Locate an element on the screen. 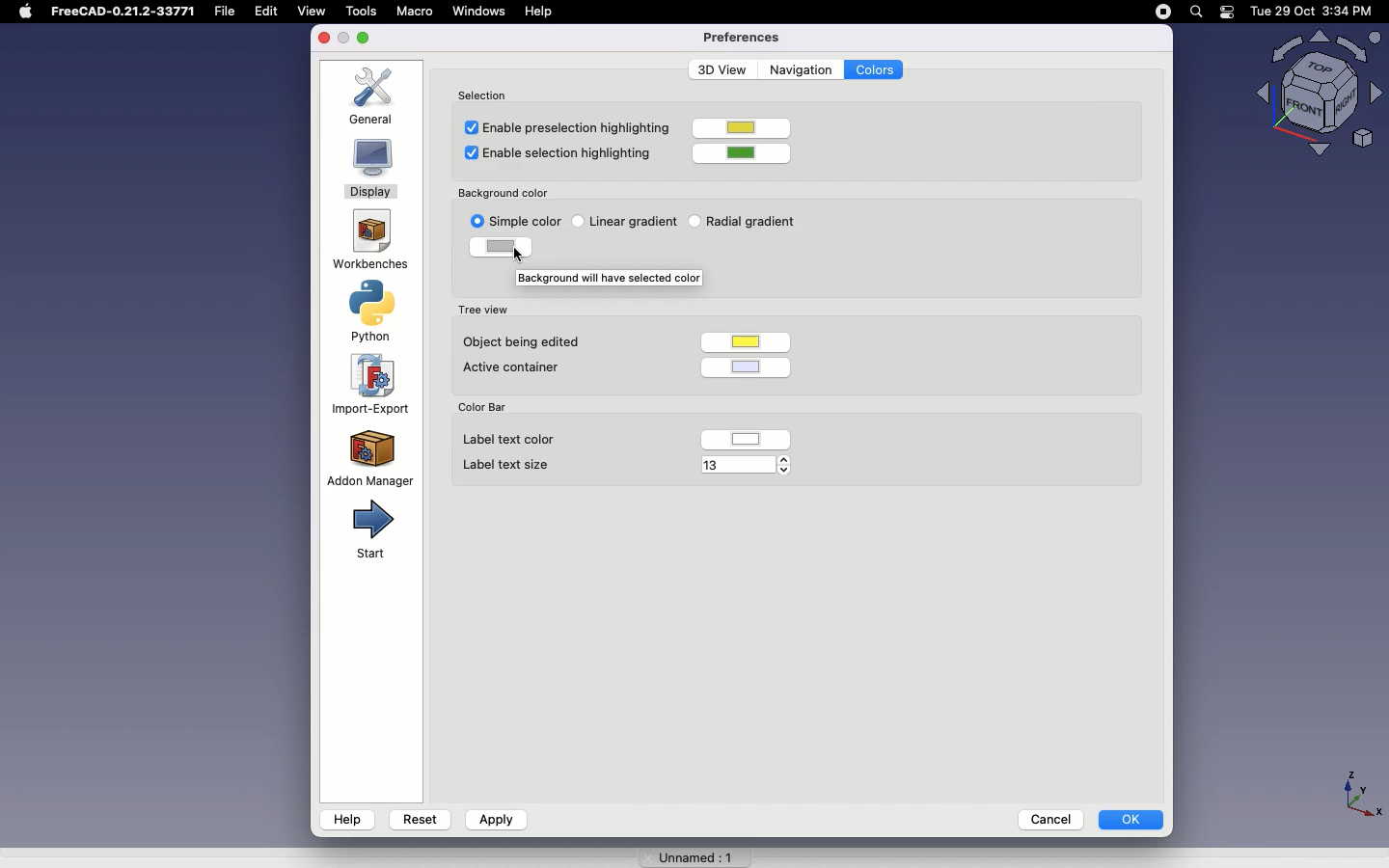 The height and width of the screenshot is (868, 1389). FreeCAD-0.21.2-33Y71 is located at coordinates (126, 14).